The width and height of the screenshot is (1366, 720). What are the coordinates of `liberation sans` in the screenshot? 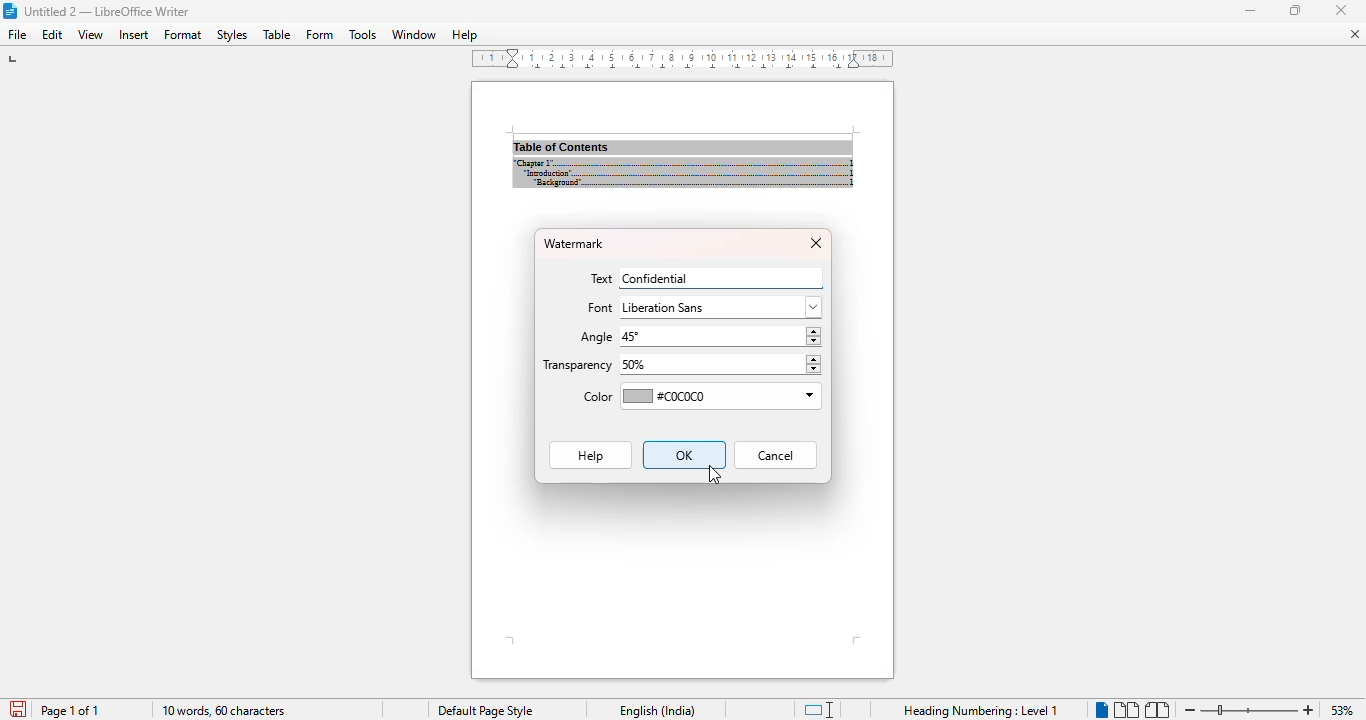 It's located at (722, 308).